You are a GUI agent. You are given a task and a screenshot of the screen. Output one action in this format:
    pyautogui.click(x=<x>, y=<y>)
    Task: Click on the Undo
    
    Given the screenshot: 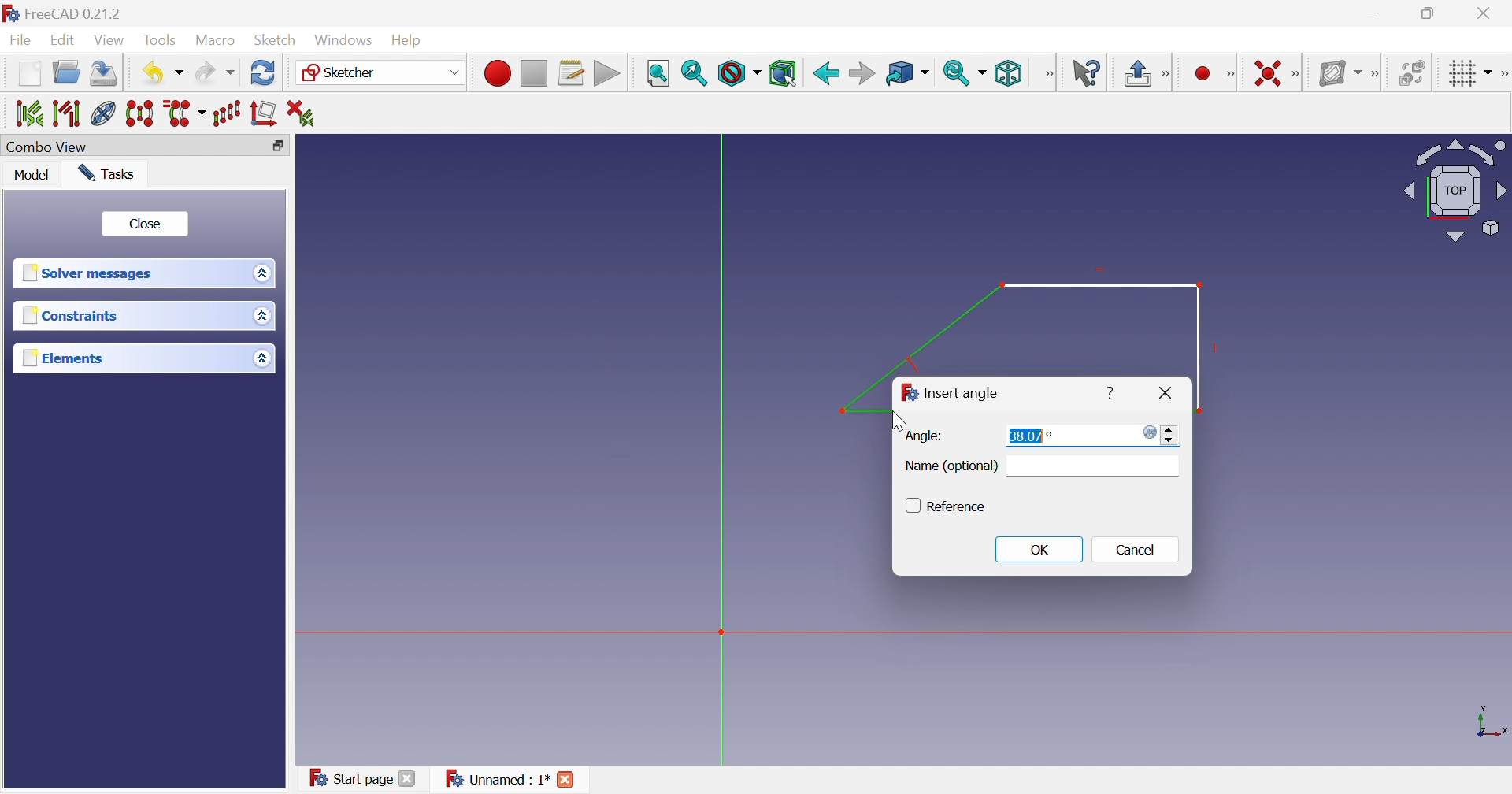 What is the action you would take?
    pyautogui.click(x=150, y=72)
    